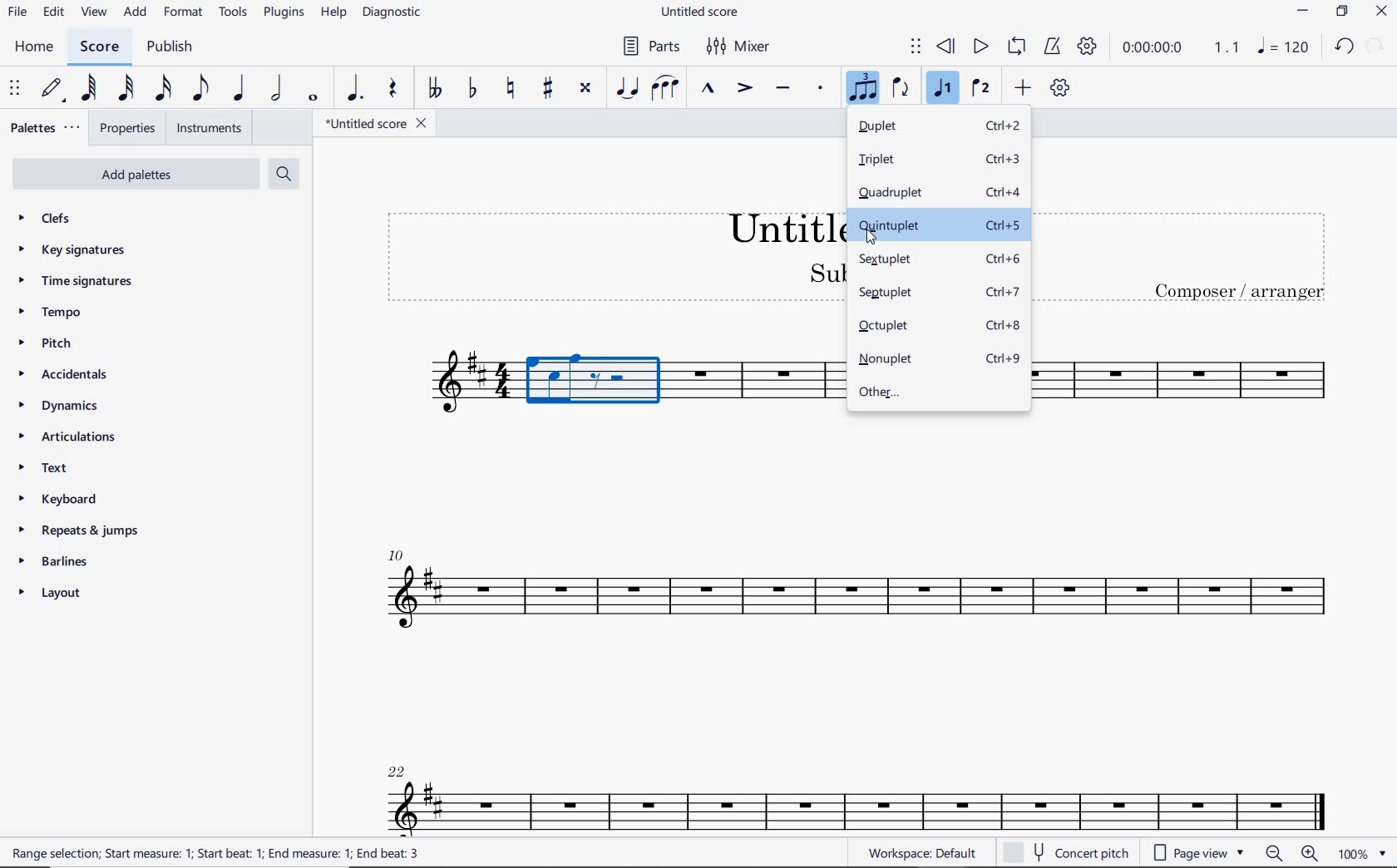 Image resolution: width=1397 pixels, height=868 pixels. What do you see at coordinates (52, 89) in the screenshot?
I see `DEFAULT (STEP TIME)` at bounding box center [52, 89].